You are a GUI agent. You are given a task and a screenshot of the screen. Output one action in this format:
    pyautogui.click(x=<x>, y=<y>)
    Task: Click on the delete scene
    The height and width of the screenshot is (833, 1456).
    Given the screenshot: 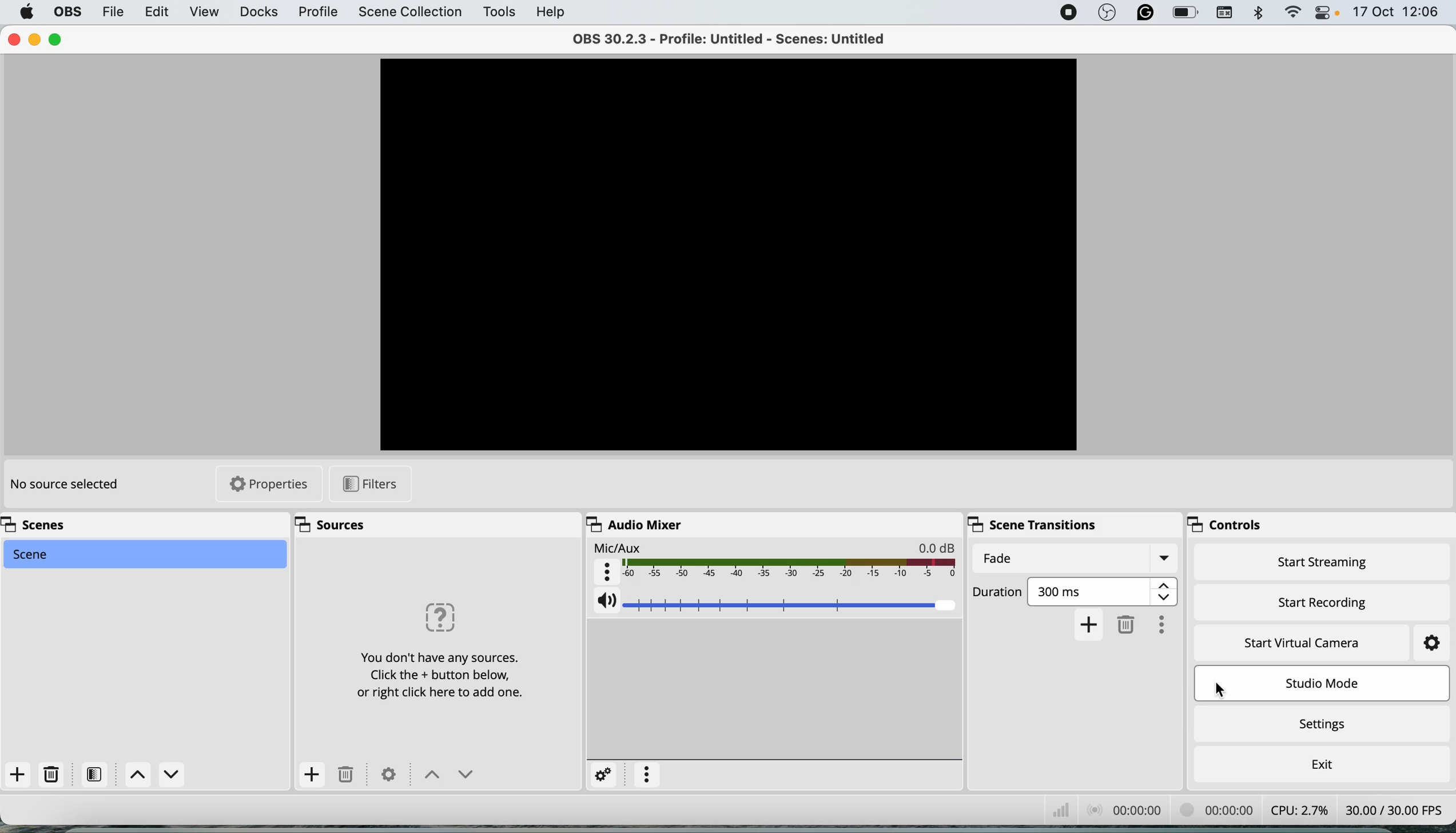 What is the action you would take?
    pyautogui.click(x=51, y=773)
    